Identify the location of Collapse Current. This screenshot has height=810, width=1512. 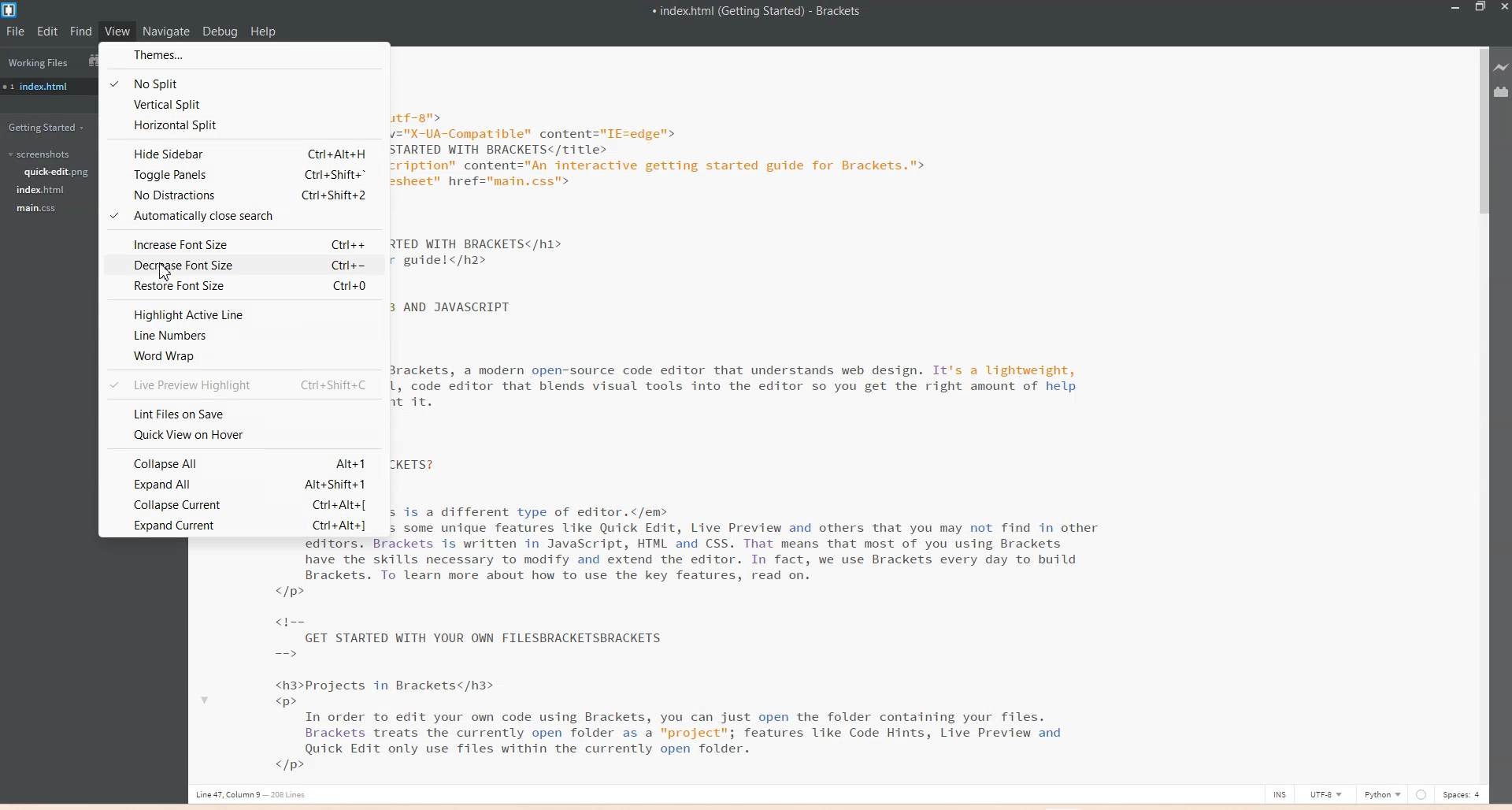
(244, 503).